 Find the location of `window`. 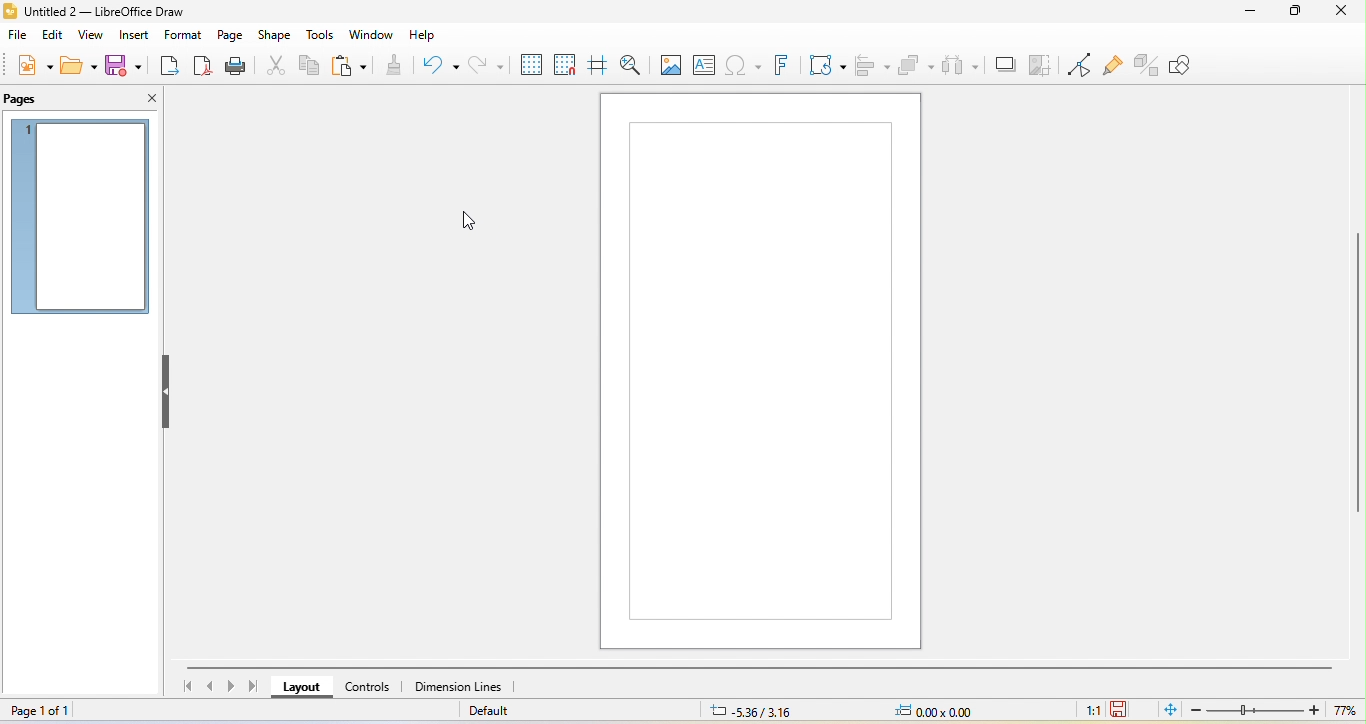

window is located at coordinates (371, 35).